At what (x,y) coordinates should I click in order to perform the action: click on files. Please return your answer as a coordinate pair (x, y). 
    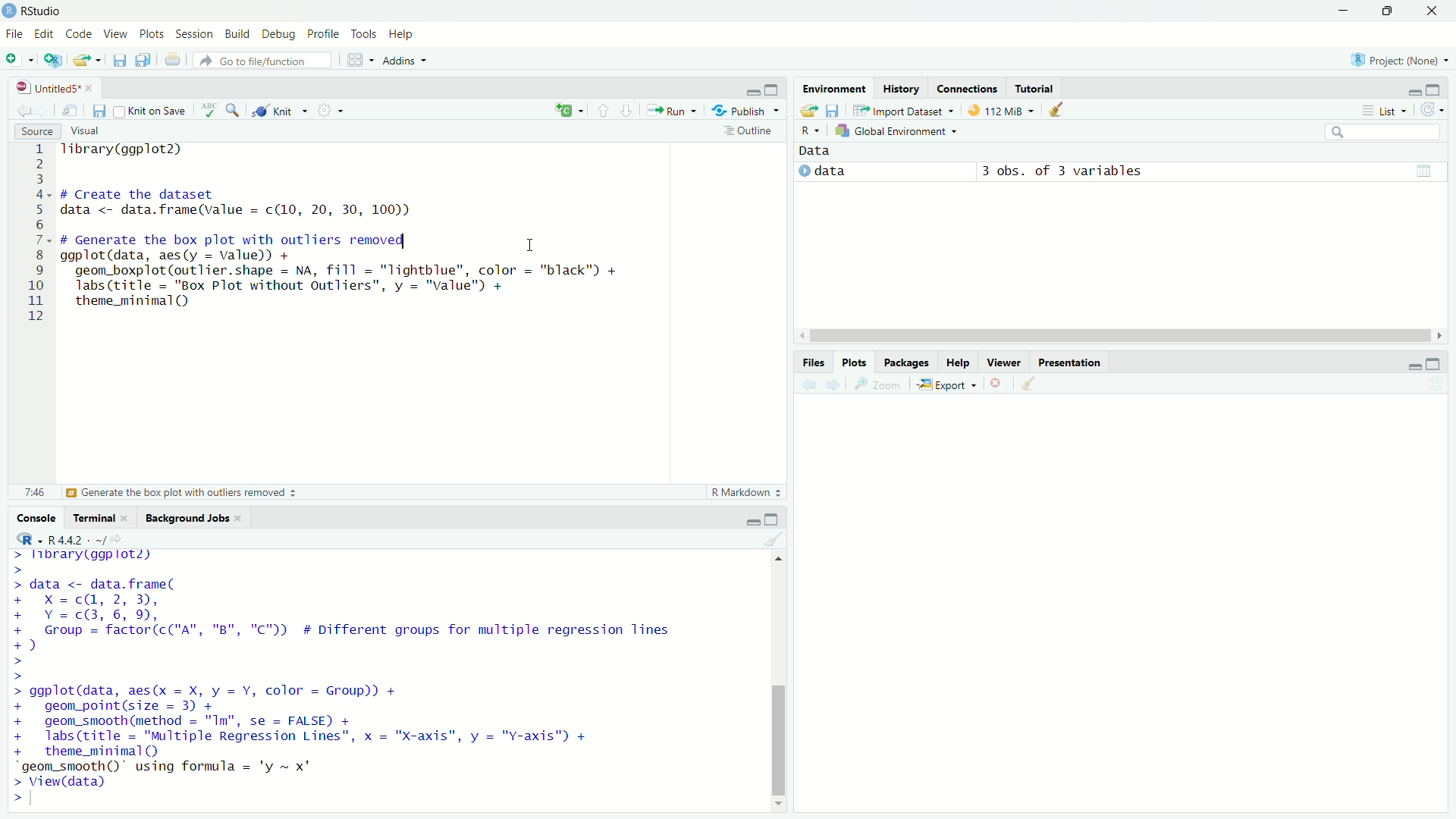
    Looking at the image, I should click on (96, 112).